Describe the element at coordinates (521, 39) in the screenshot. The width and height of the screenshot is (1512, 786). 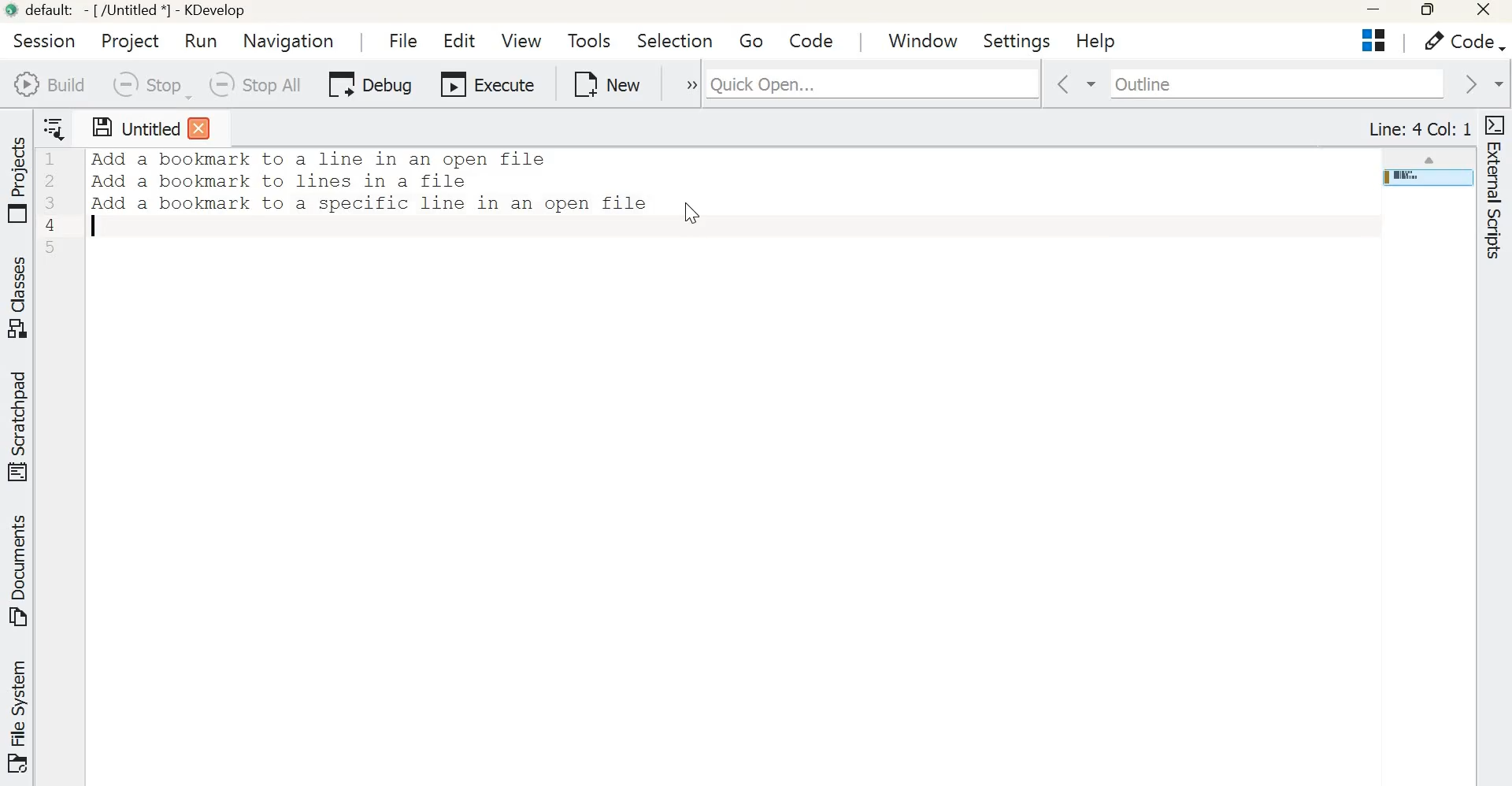
I see `View` at that location.